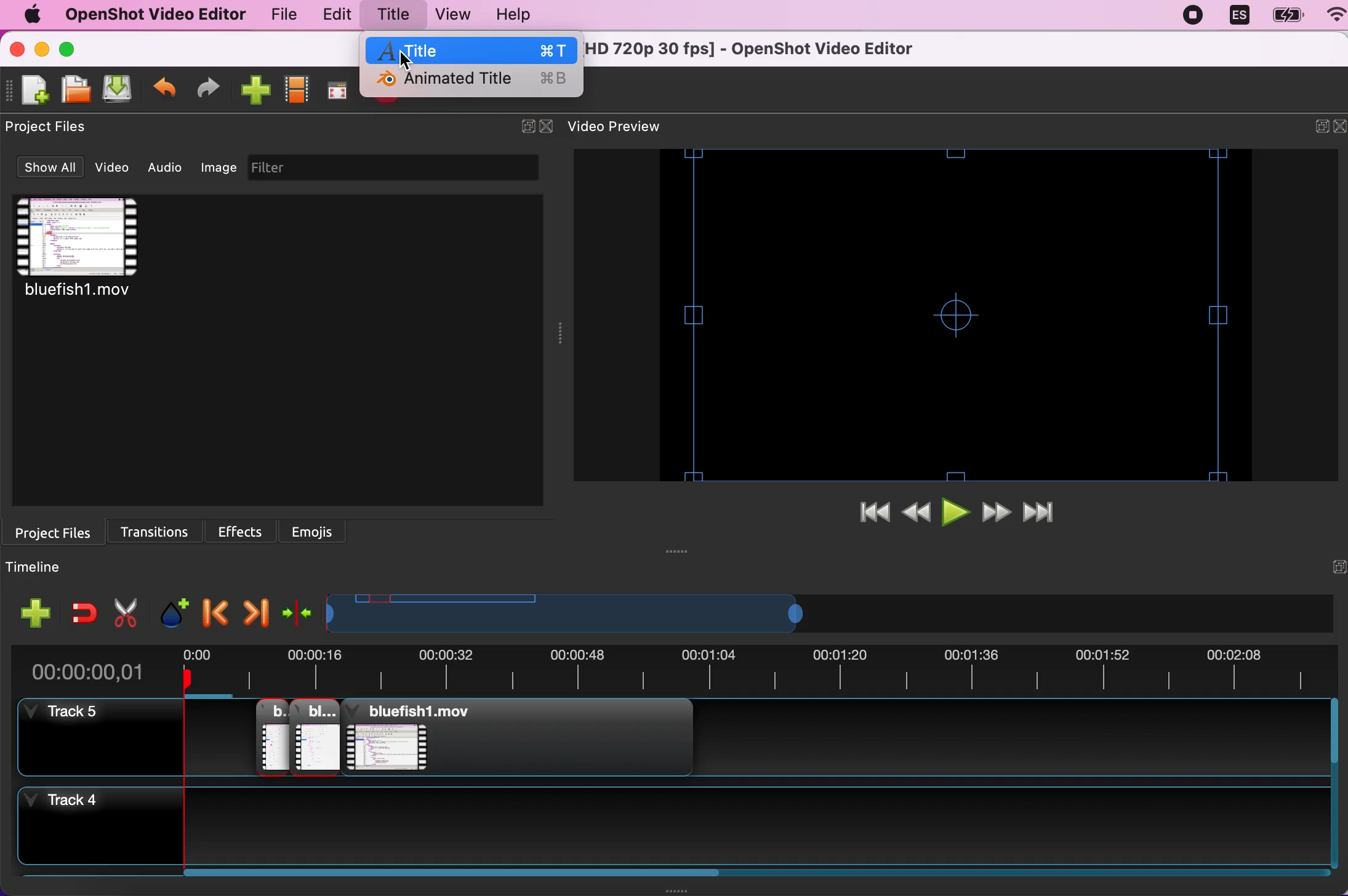 This screenshot has height=896, width=1348. Describe the element at coordinates (1195, 15) in the screenshot. I see `recording stopped` at that location.